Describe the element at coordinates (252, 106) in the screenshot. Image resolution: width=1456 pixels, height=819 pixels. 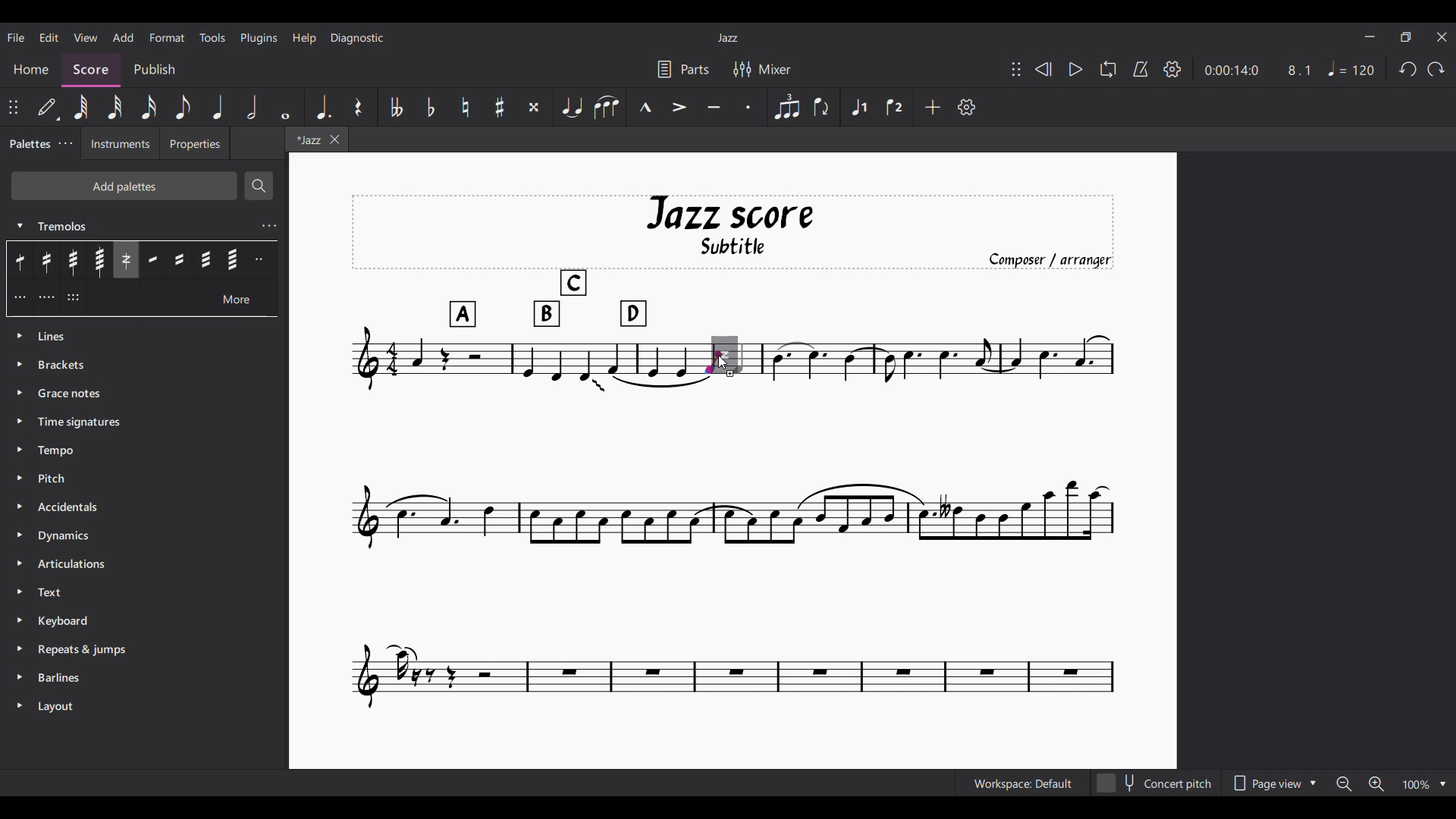
I see `Half note` at that location.